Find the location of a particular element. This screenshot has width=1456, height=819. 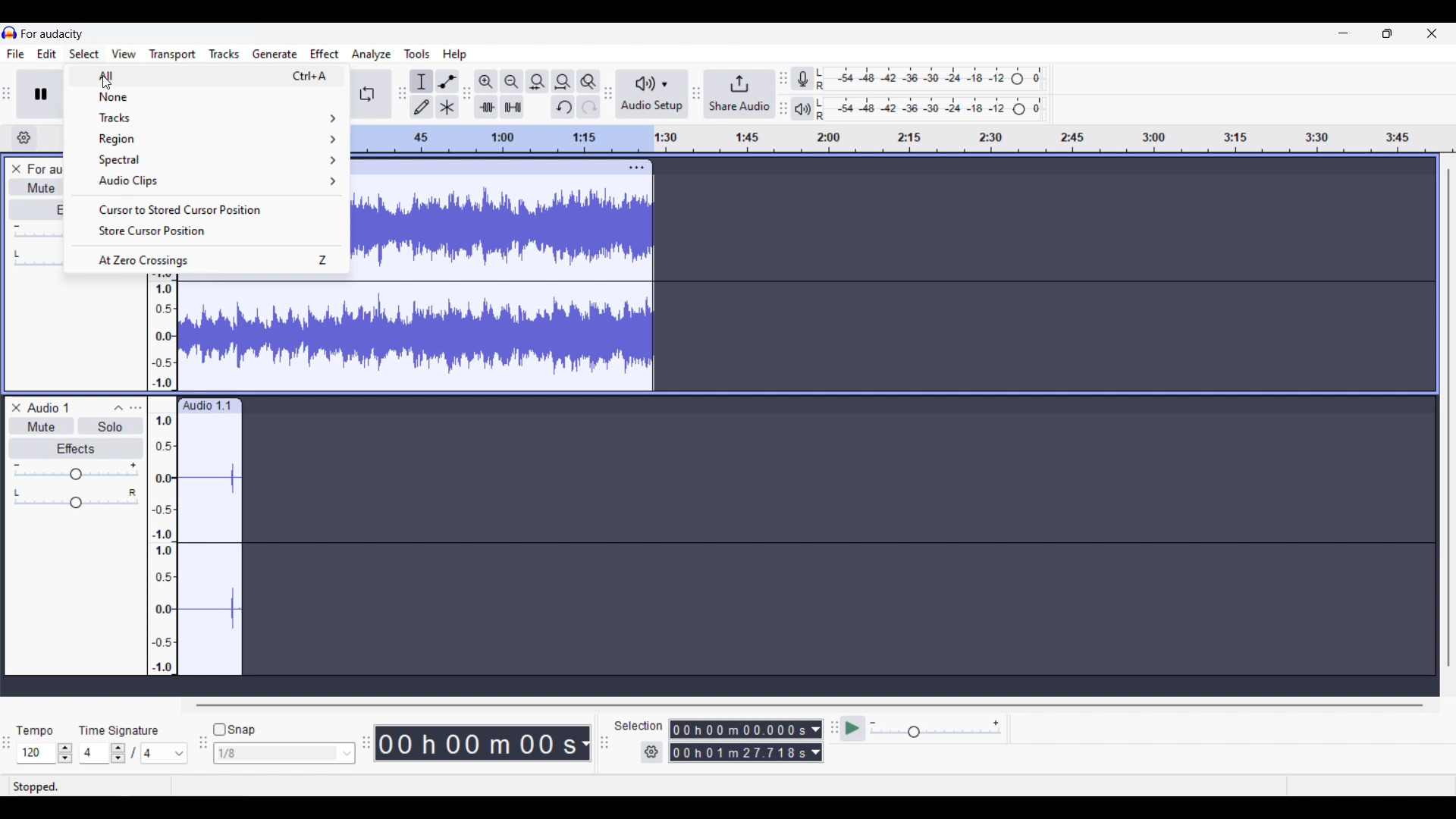

timeline is located at coordinates (905, 139).